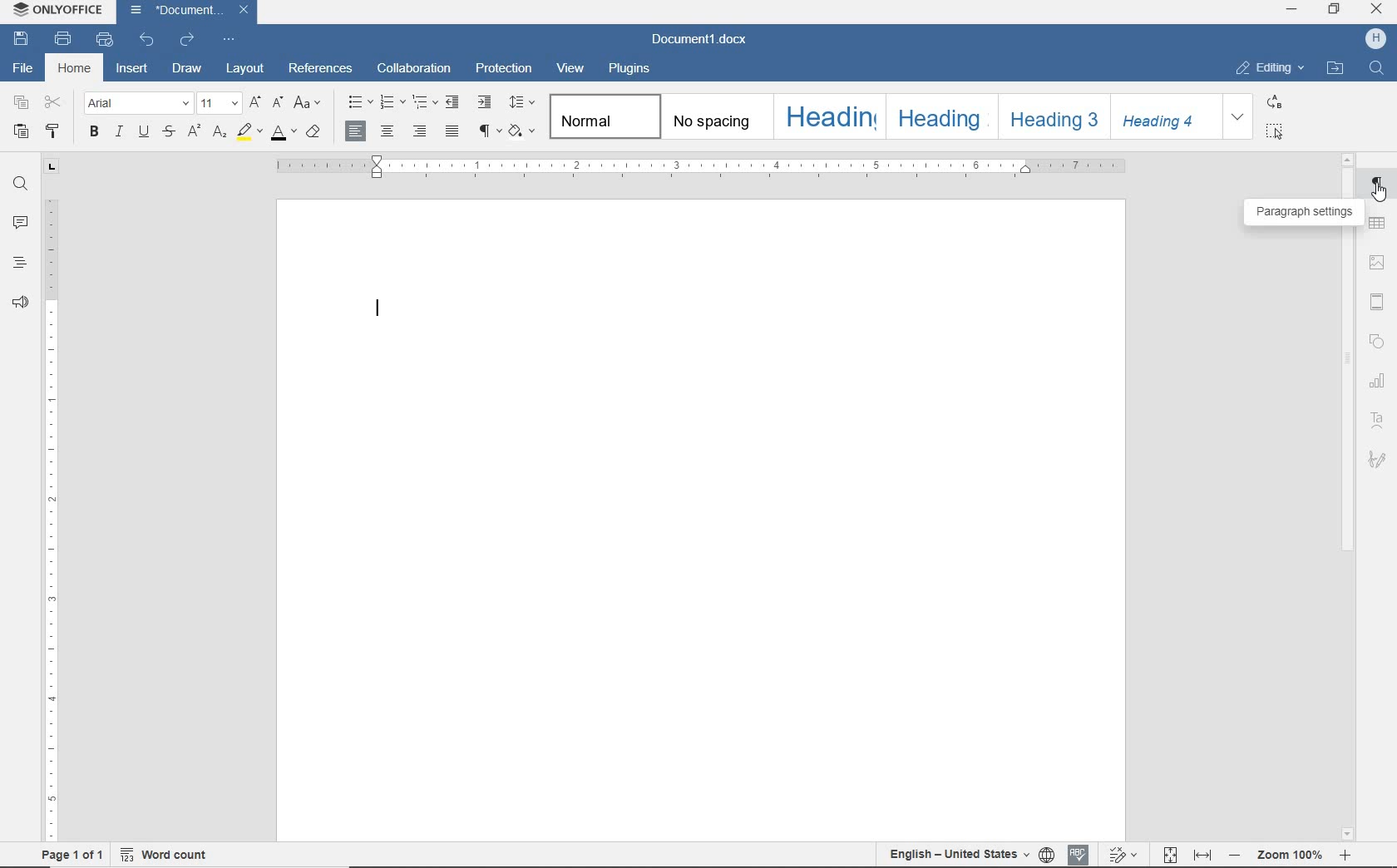 The height and width of the screenshot is (868, 1397). I want to click on numbering, so click(392, 103).